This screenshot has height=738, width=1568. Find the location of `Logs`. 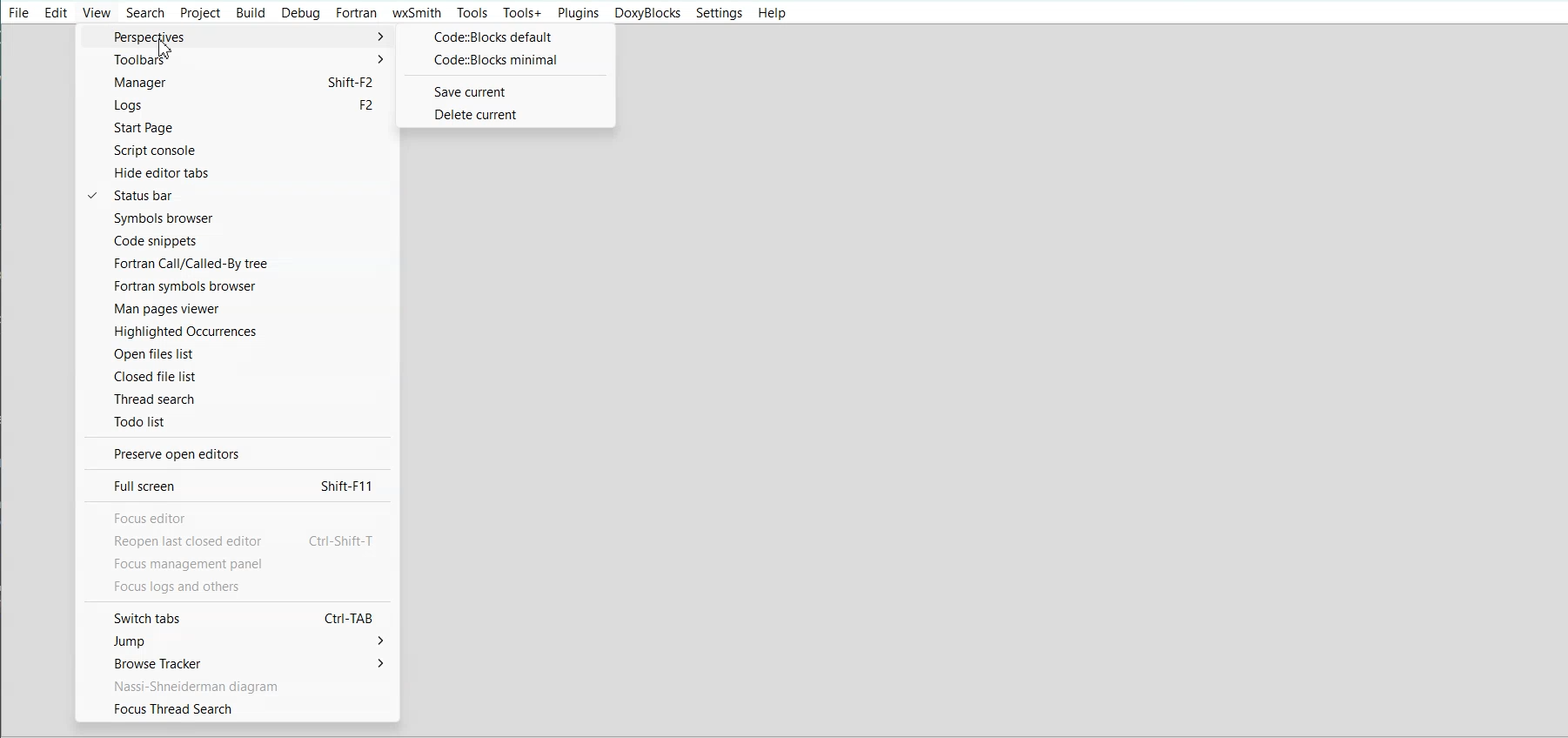

Logs is located at coordinates (238, 106).